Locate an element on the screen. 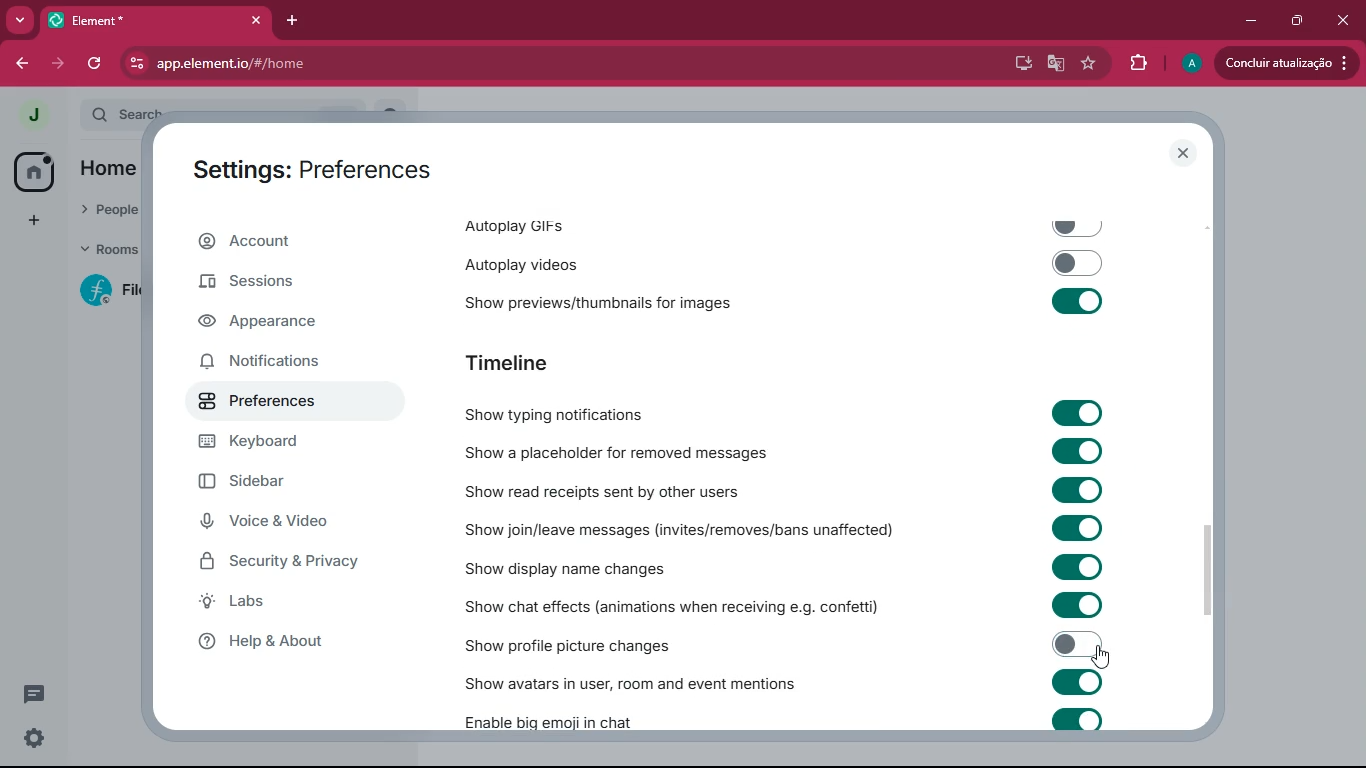 This screenshot has width=1366, height=768. add tab is located at coordinates (295, 21).